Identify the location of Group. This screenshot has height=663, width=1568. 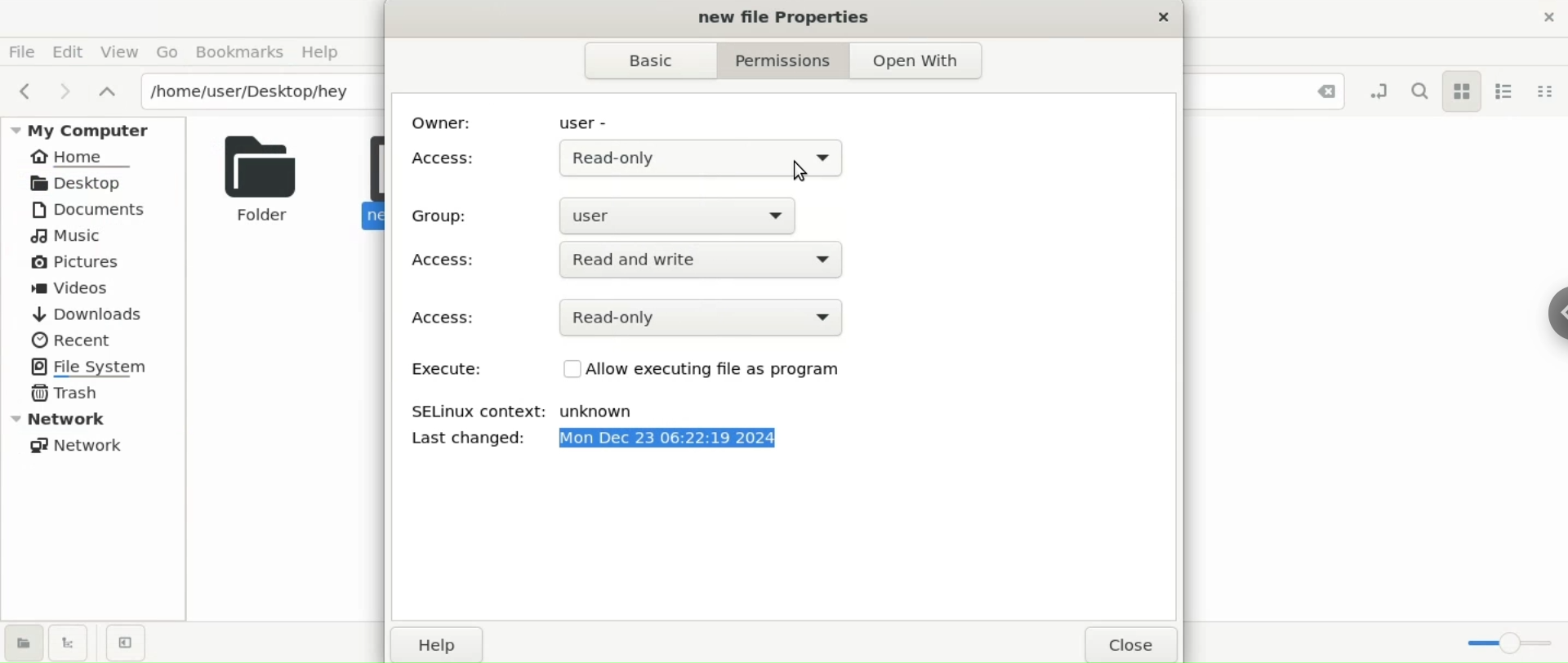
(445, 216).